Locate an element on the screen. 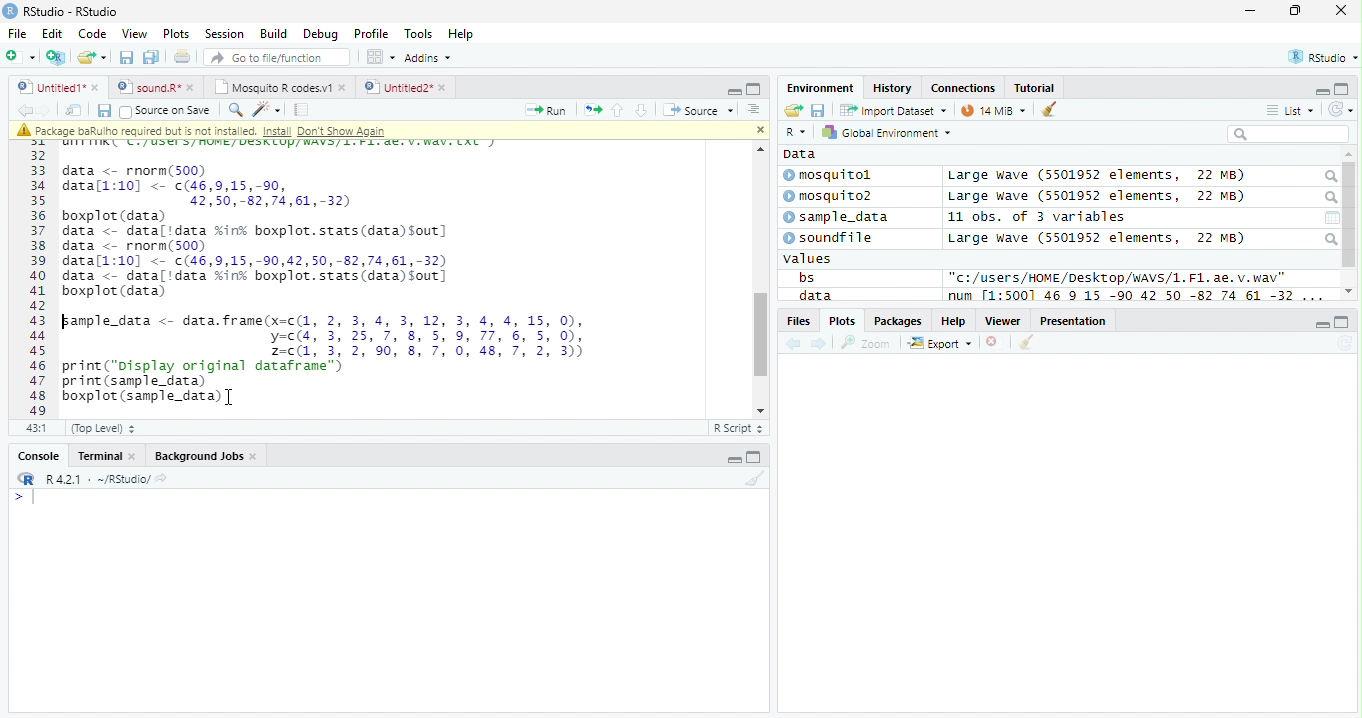  Compile report is located at coordinates (302, 110).